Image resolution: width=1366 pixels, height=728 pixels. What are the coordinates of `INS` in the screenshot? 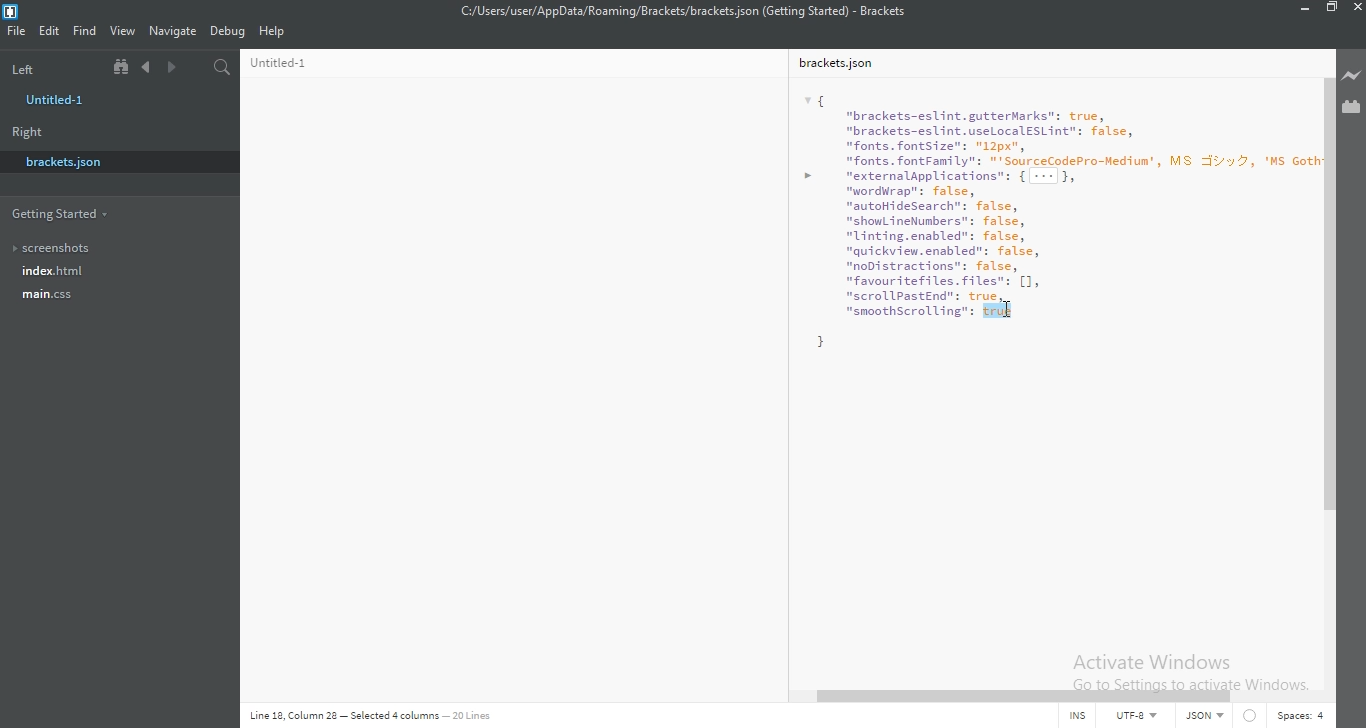 It's located at (1073, 717).